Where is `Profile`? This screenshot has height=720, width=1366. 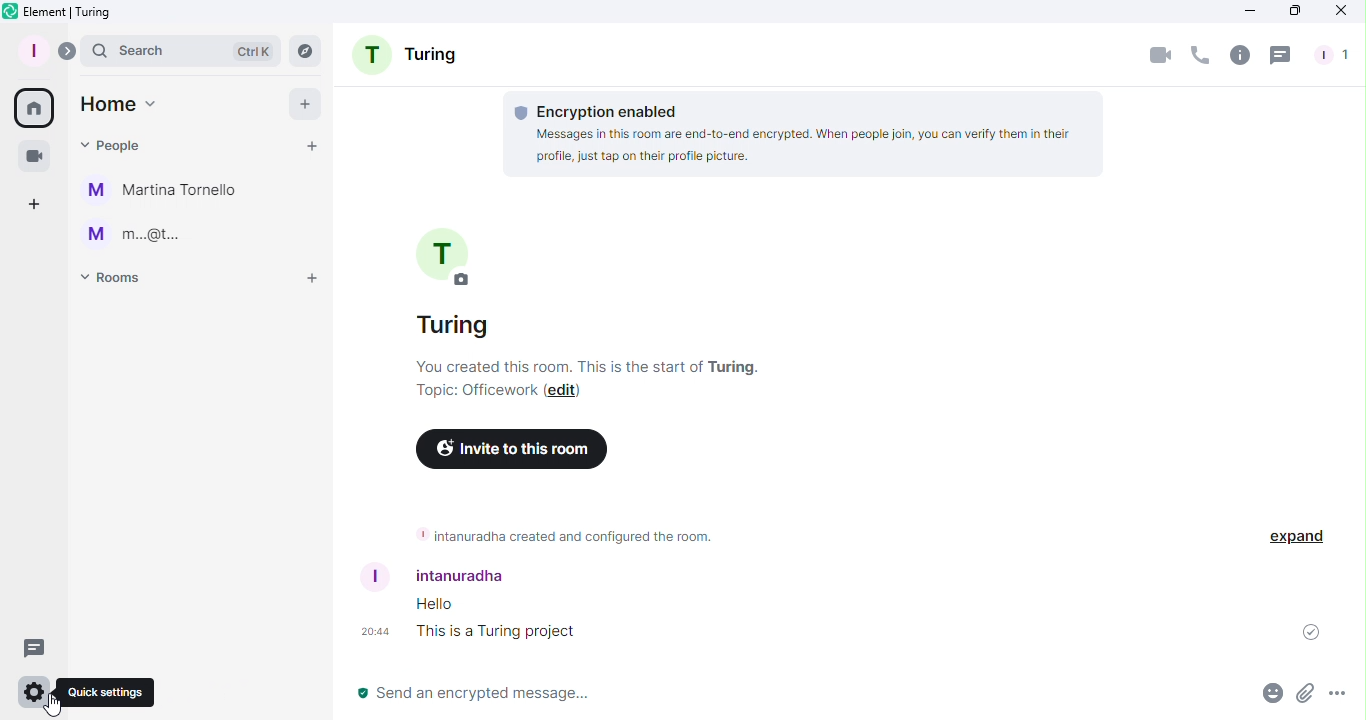
Profile is located at coordinates (33, 49).